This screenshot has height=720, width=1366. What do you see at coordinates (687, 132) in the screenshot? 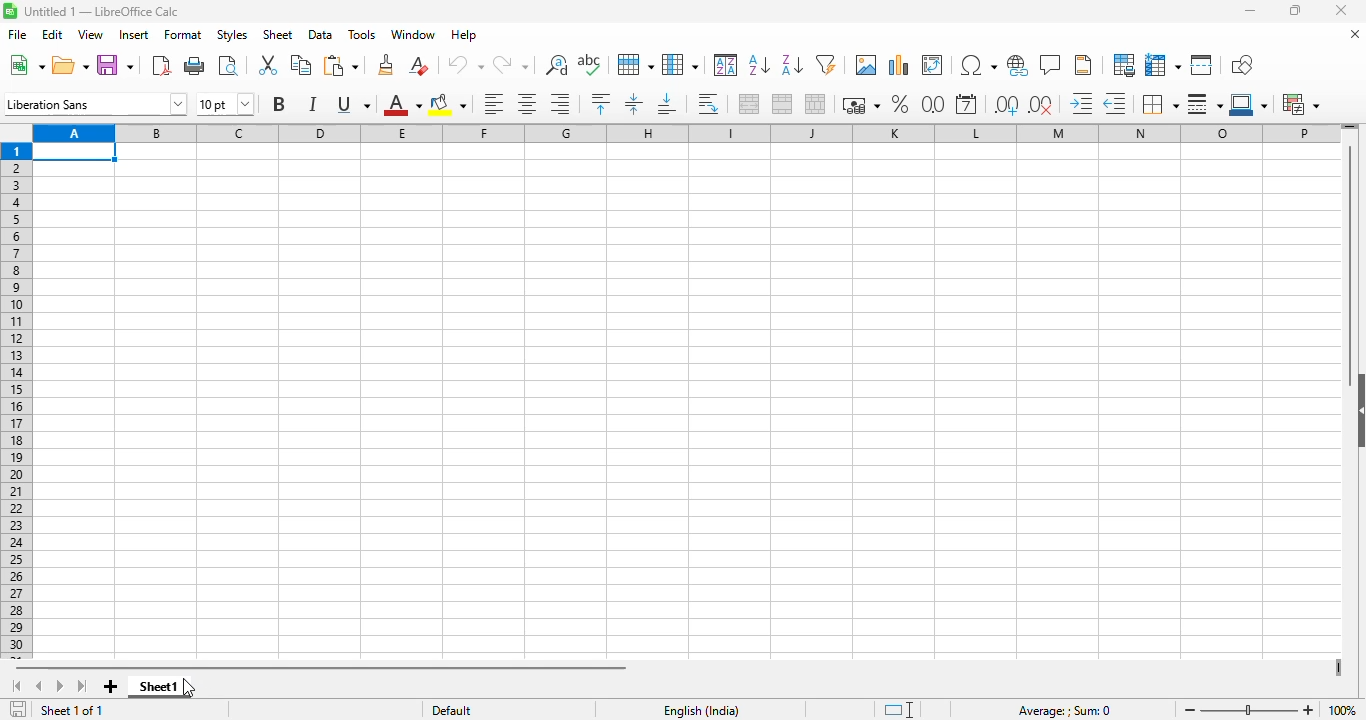
I see `columns` at bounding box center [687, 132].